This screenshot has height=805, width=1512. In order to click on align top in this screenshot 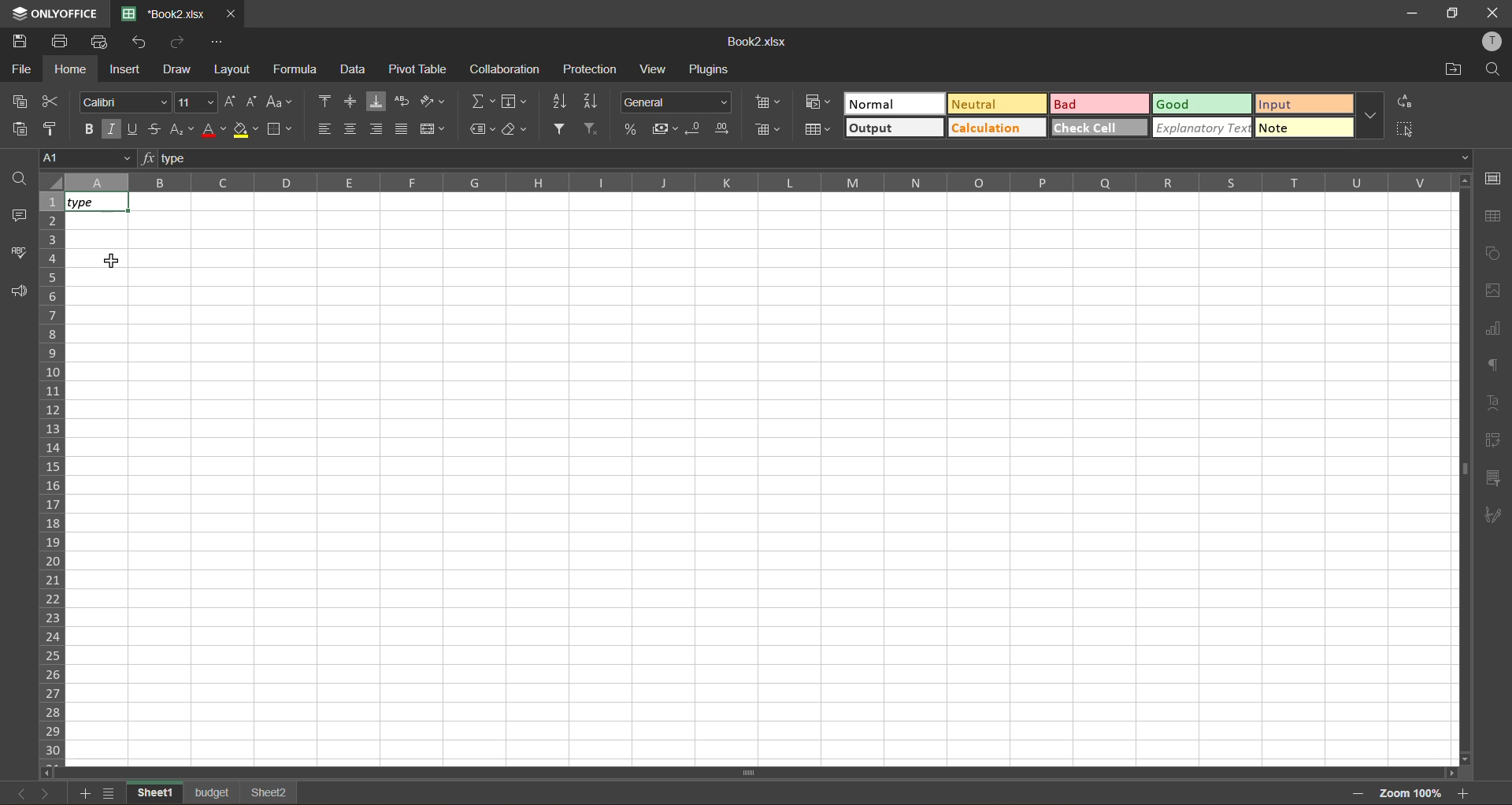, I will do `click(326, 101)`.